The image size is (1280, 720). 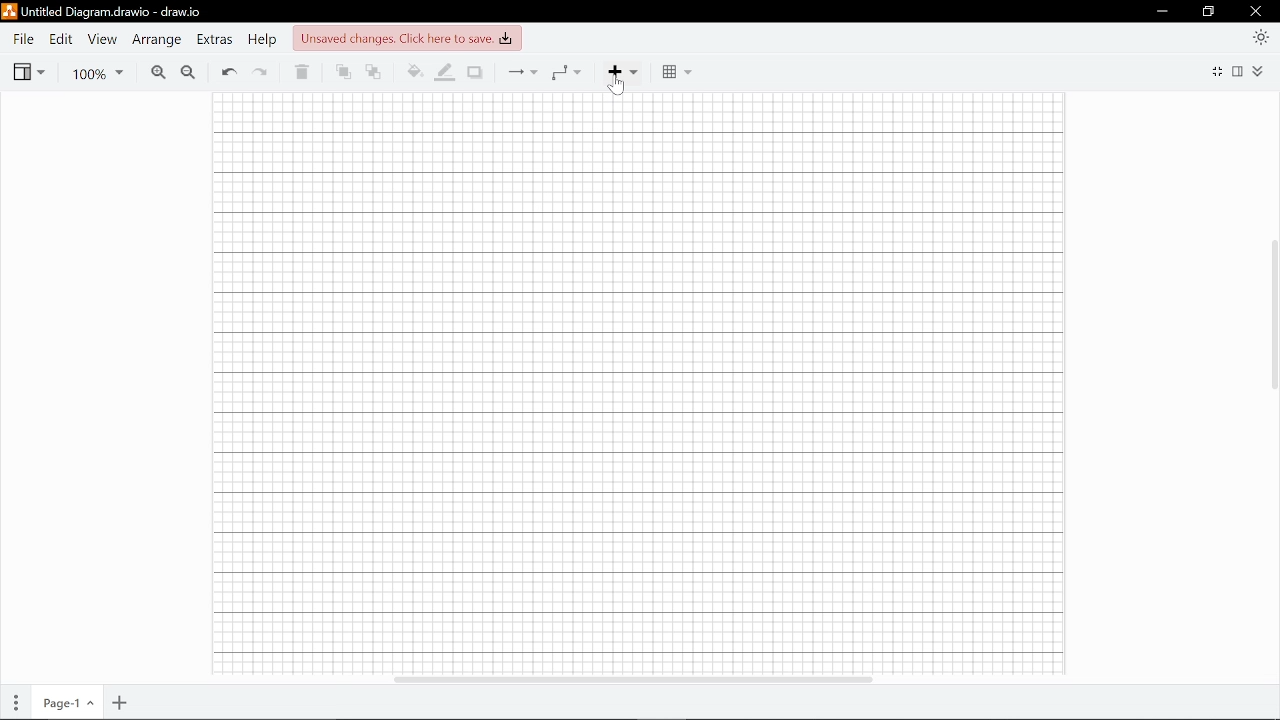 I want to click on Fill line, so click(x=443, y=74).